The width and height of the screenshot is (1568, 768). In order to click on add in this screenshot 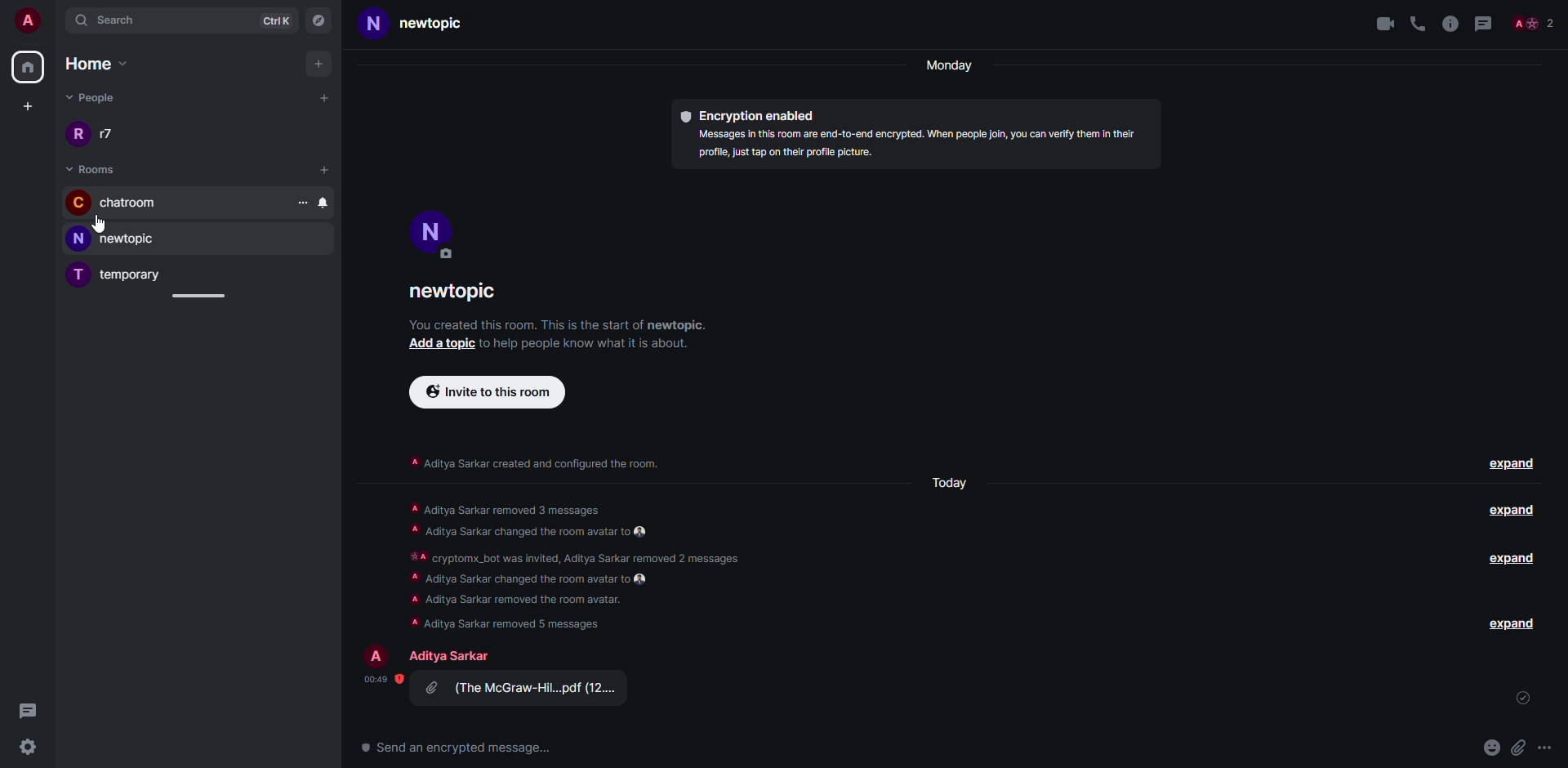, I will do `click(326, 96)`.